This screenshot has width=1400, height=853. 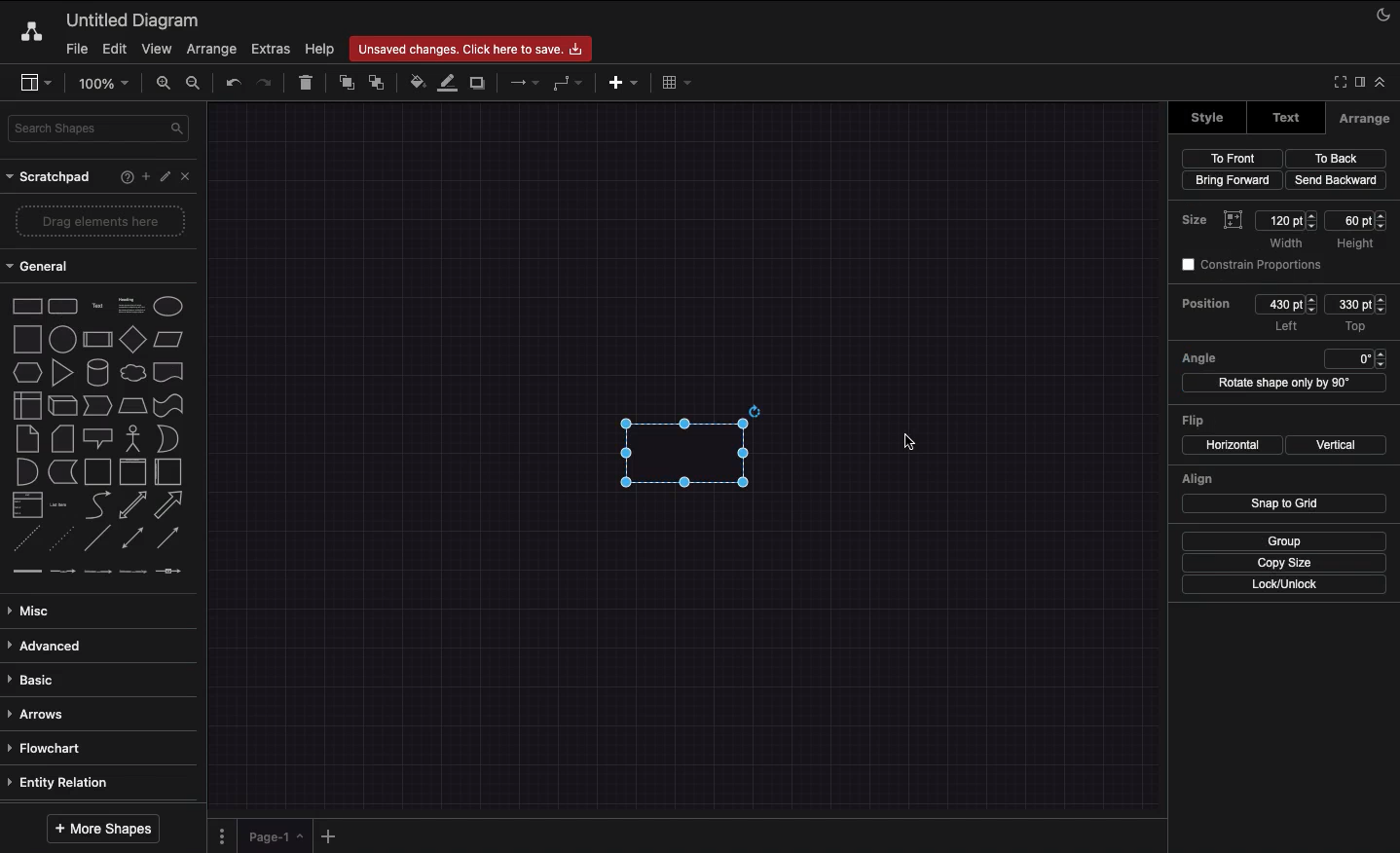 I want to click on Scratchpad , so click(x=48, y=178).